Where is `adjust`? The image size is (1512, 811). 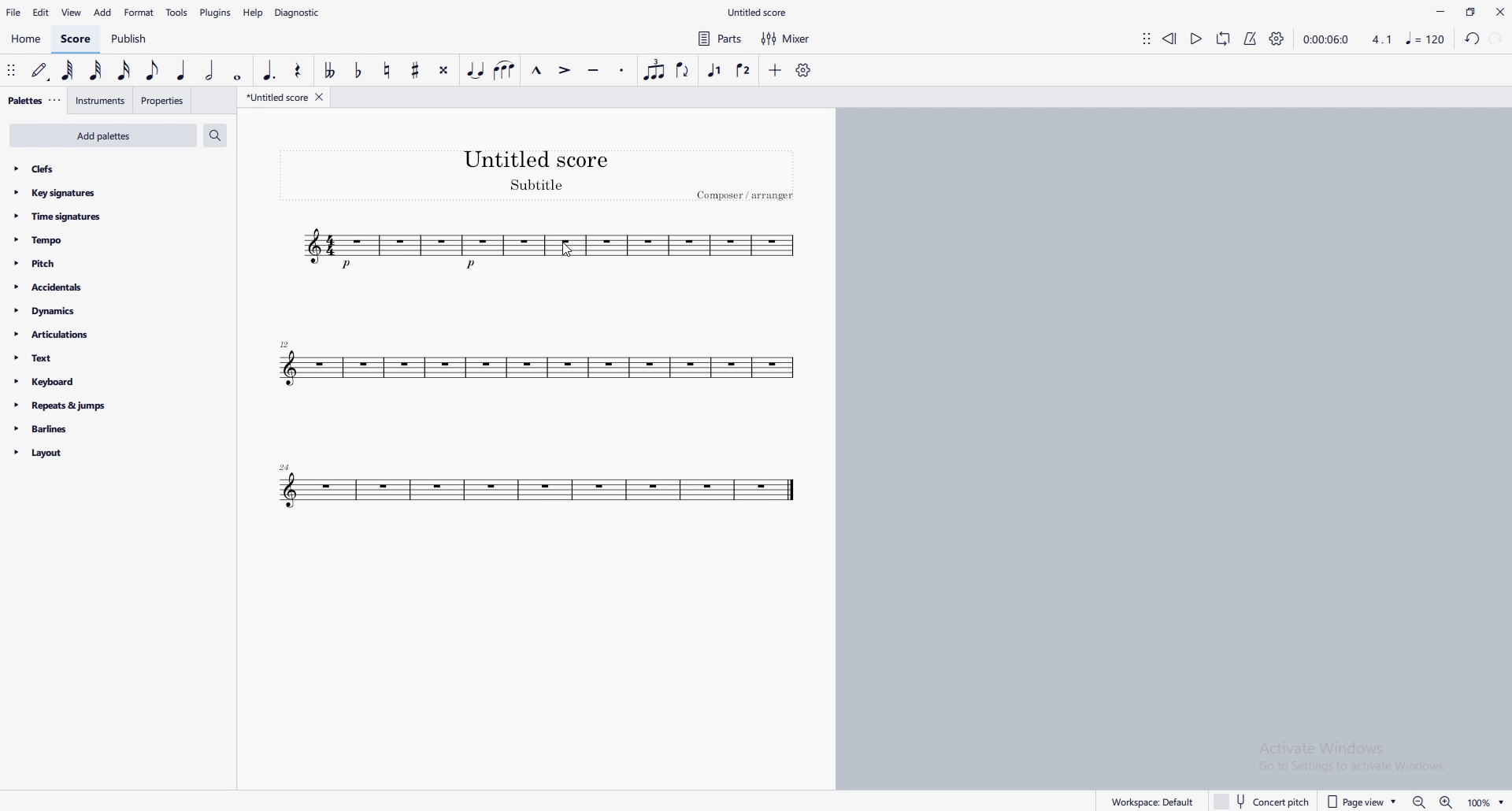 adjust is located at coordinates (1147, 38).